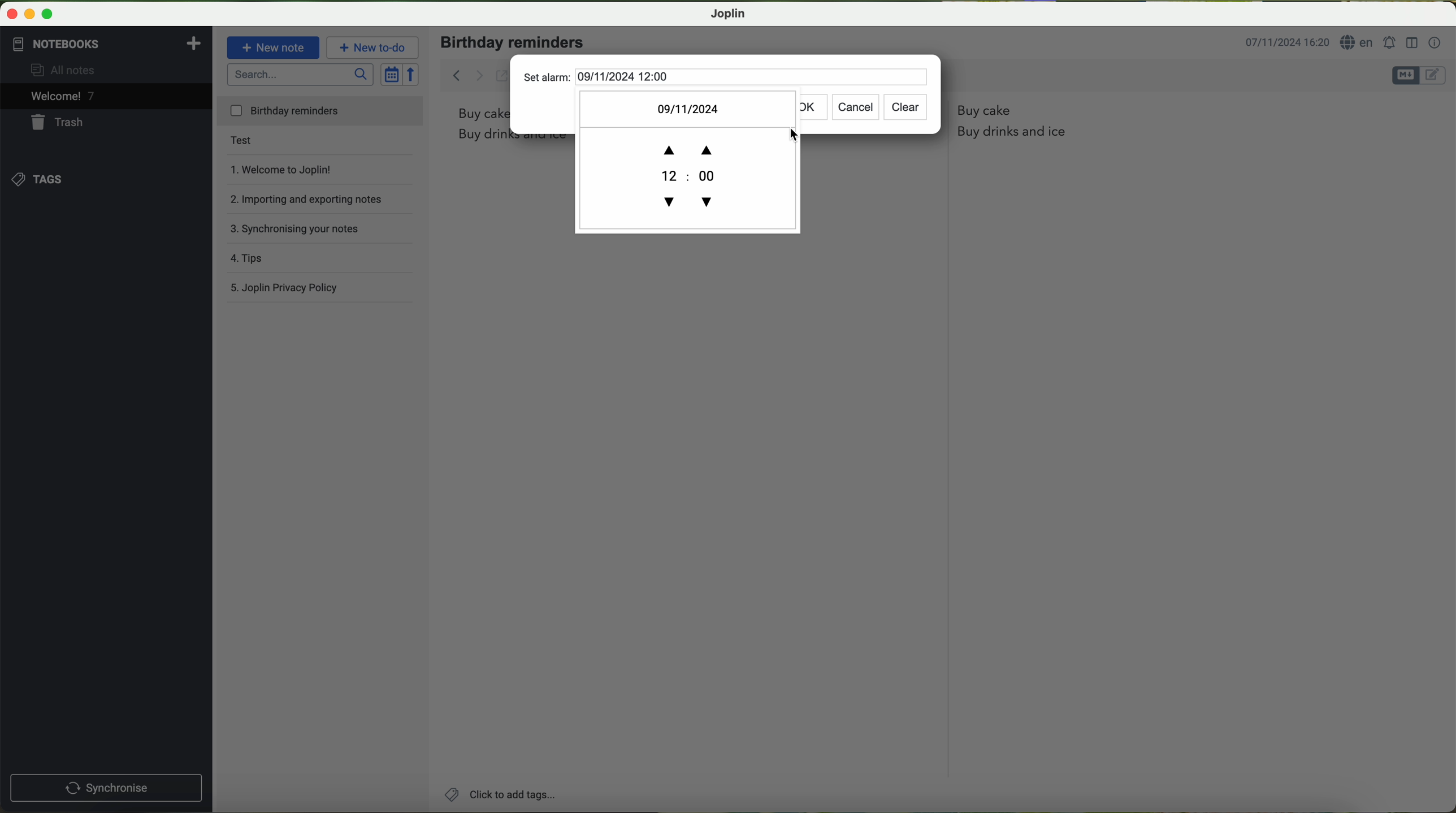 Image resolution: width=1456 pixels, height=813 pixels. Describe the element at coordinates (64, 97) in the screenshot. I see `welcome 6` at that location.